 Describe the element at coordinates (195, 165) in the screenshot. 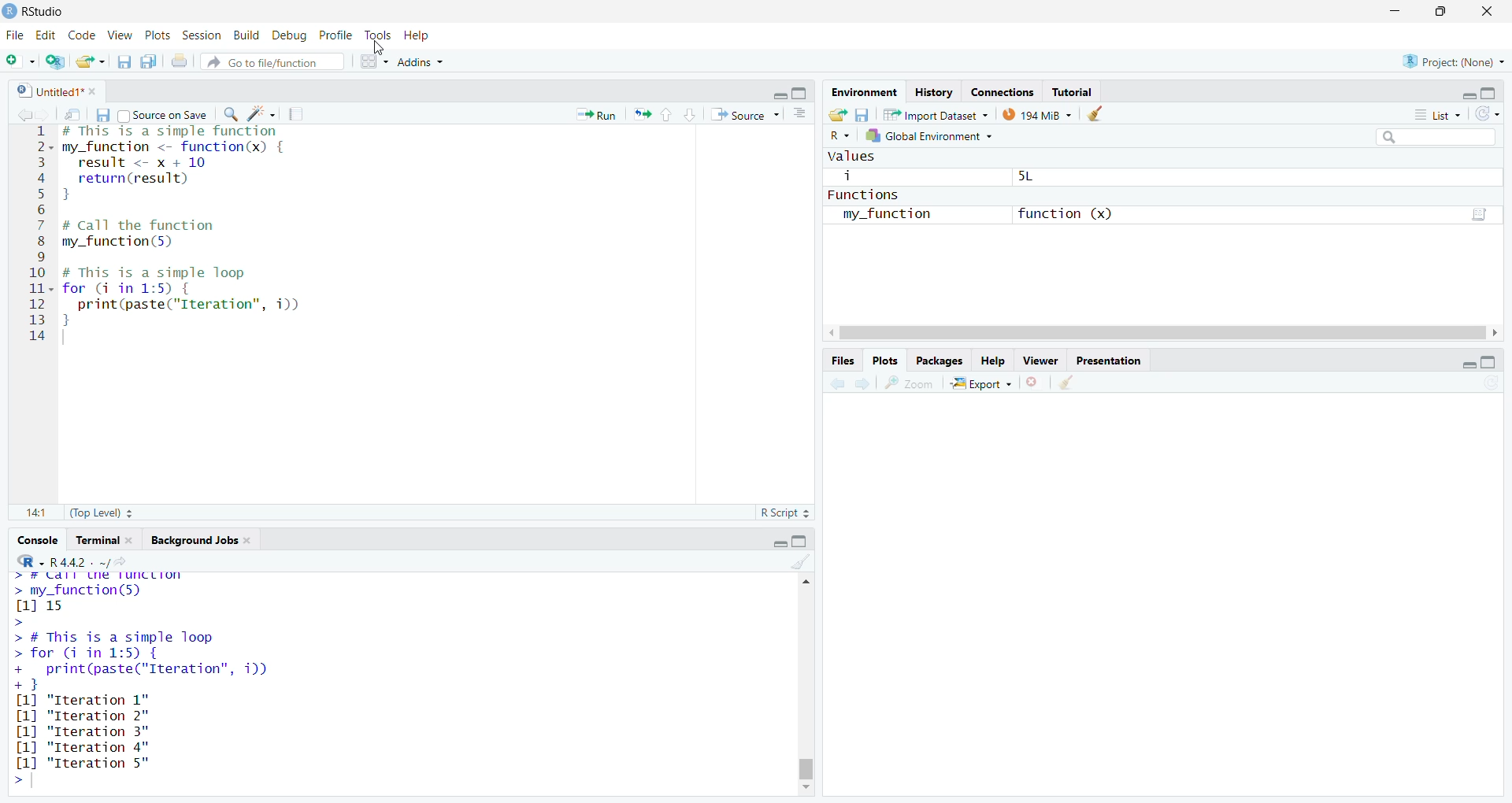

I see `code of a simple function` at that location.